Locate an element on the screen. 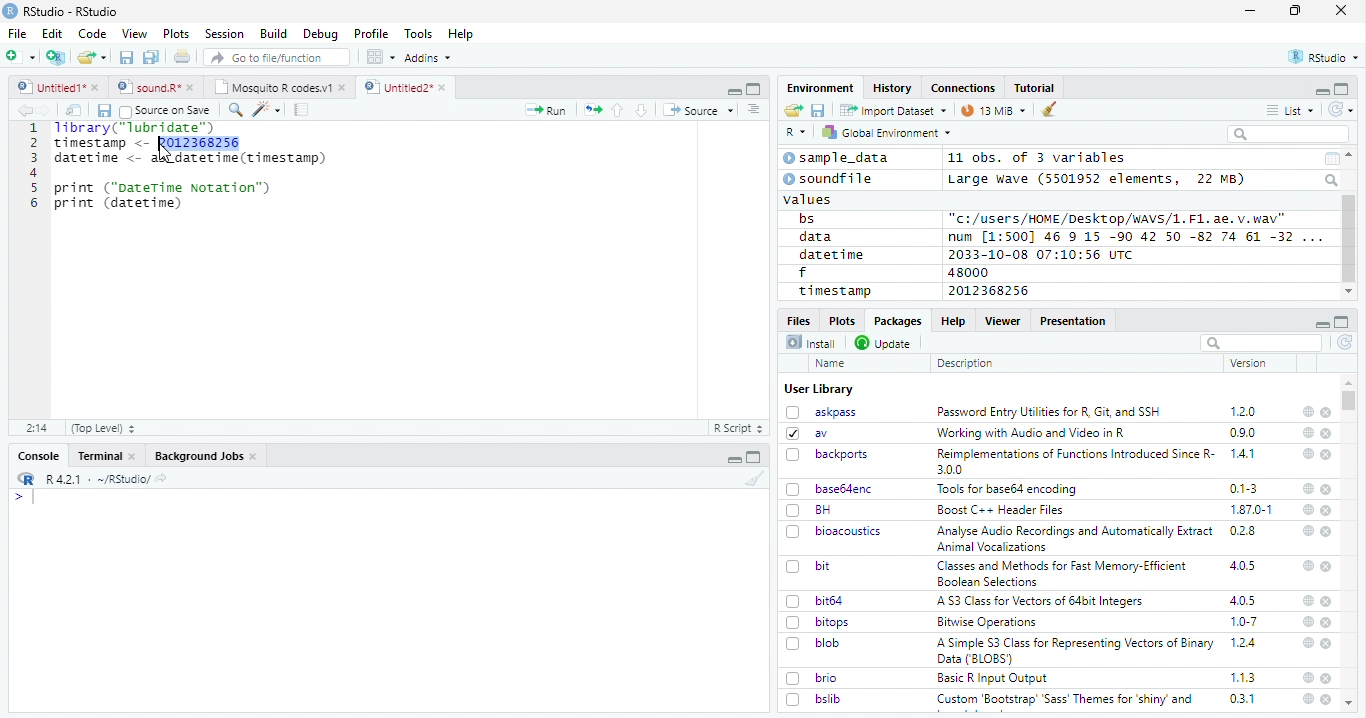 The width and height of the screenshot is (1366, 718). go forward is located at coordinates (48, 110).